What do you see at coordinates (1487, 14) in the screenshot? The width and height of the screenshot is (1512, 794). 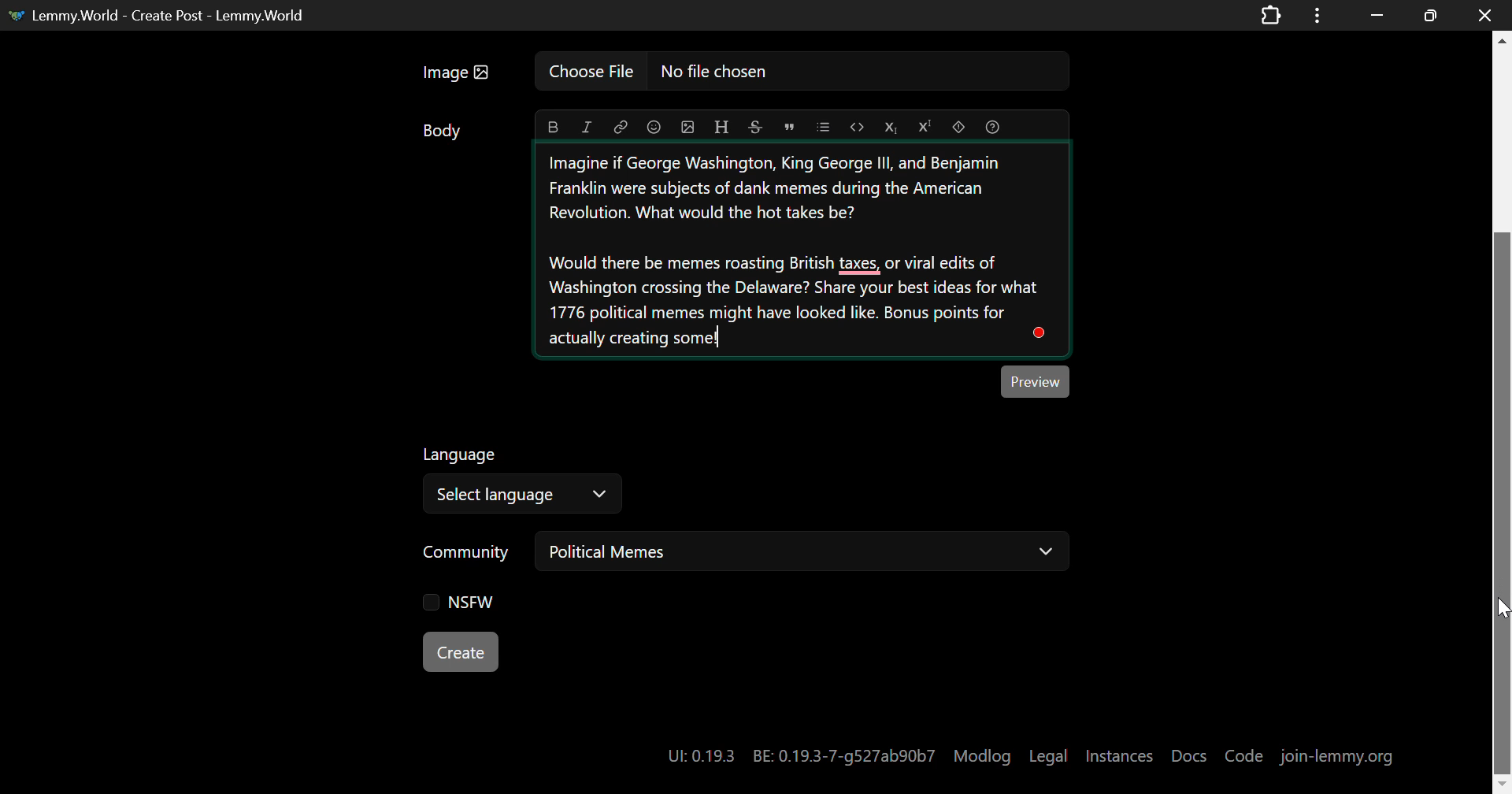 I see `Close window` at bounding box center [1487, 14].